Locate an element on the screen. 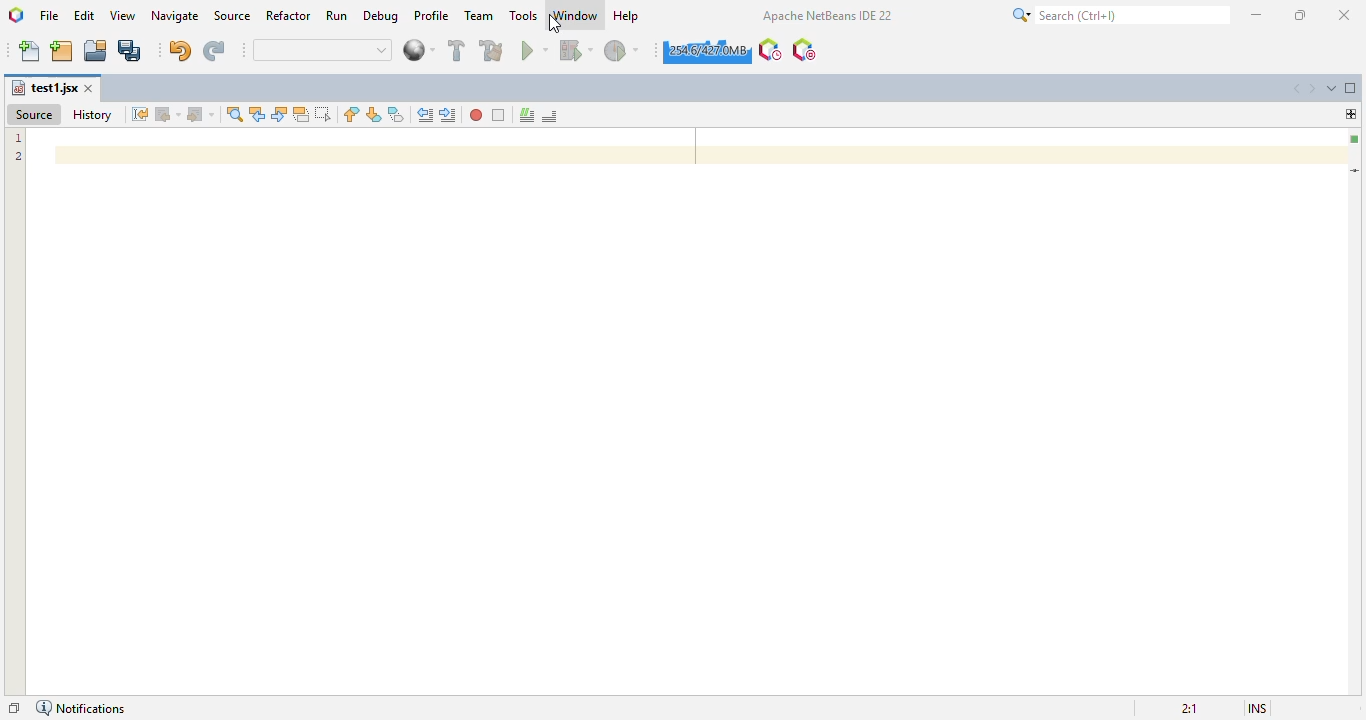 The width and height of the screenshot is (1366, 720). previous bookmark is located at coordinates (352, 114).